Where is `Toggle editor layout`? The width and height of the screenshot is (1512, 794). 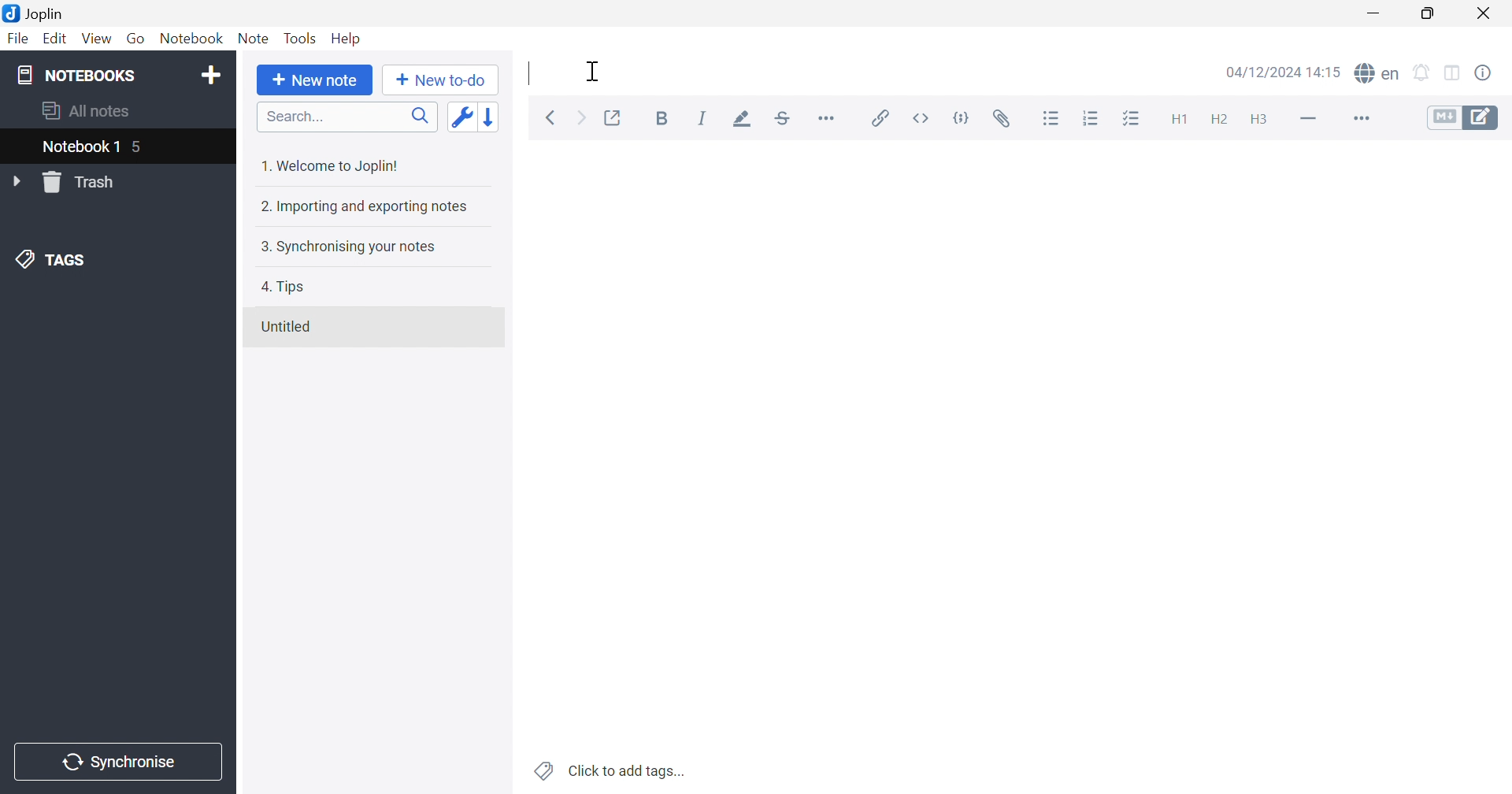 Toggle editor layout is located at coordinates (1455, 74).